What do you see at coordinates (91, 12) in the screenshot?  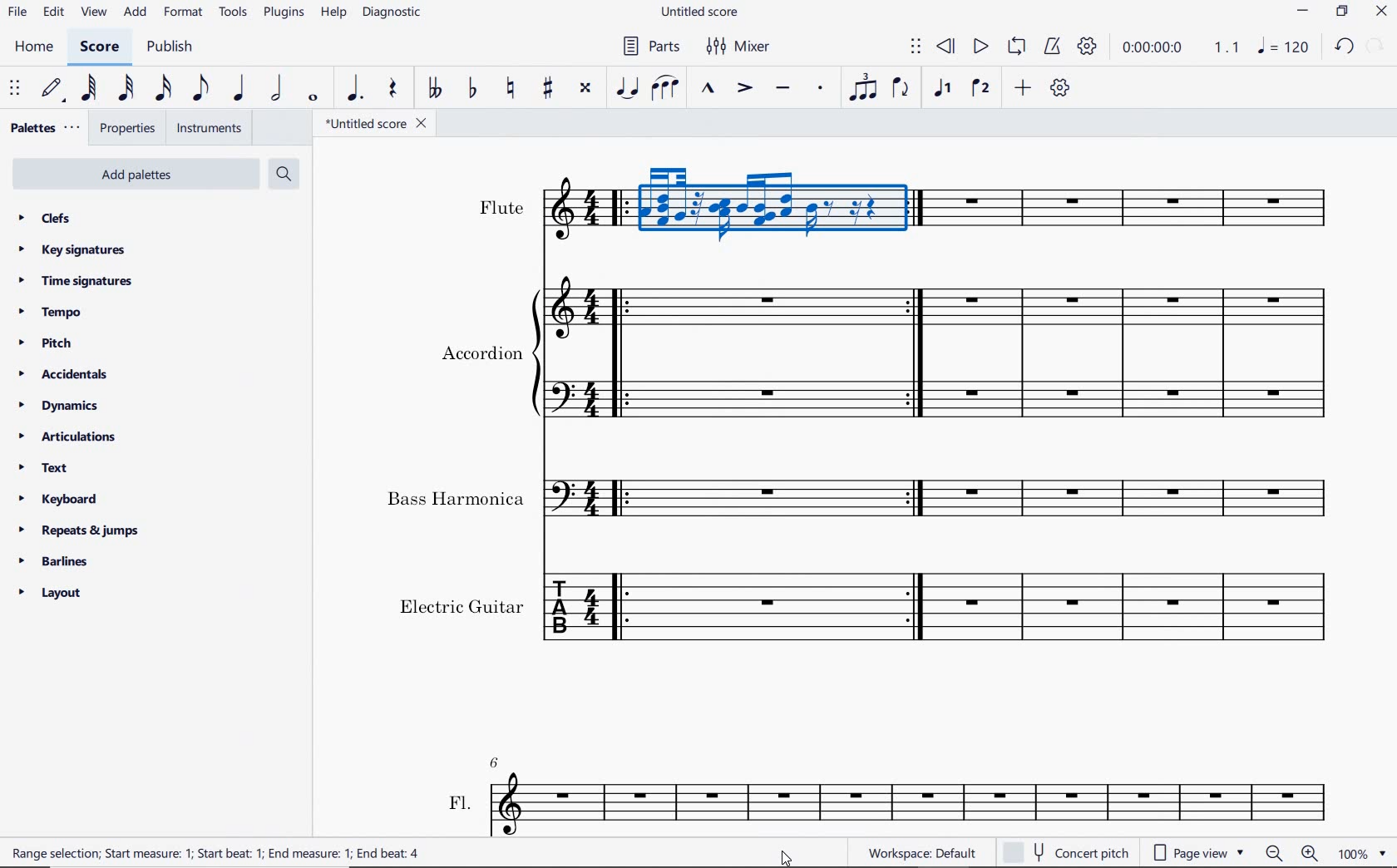 I see `view` at bounding box center [91, 12].